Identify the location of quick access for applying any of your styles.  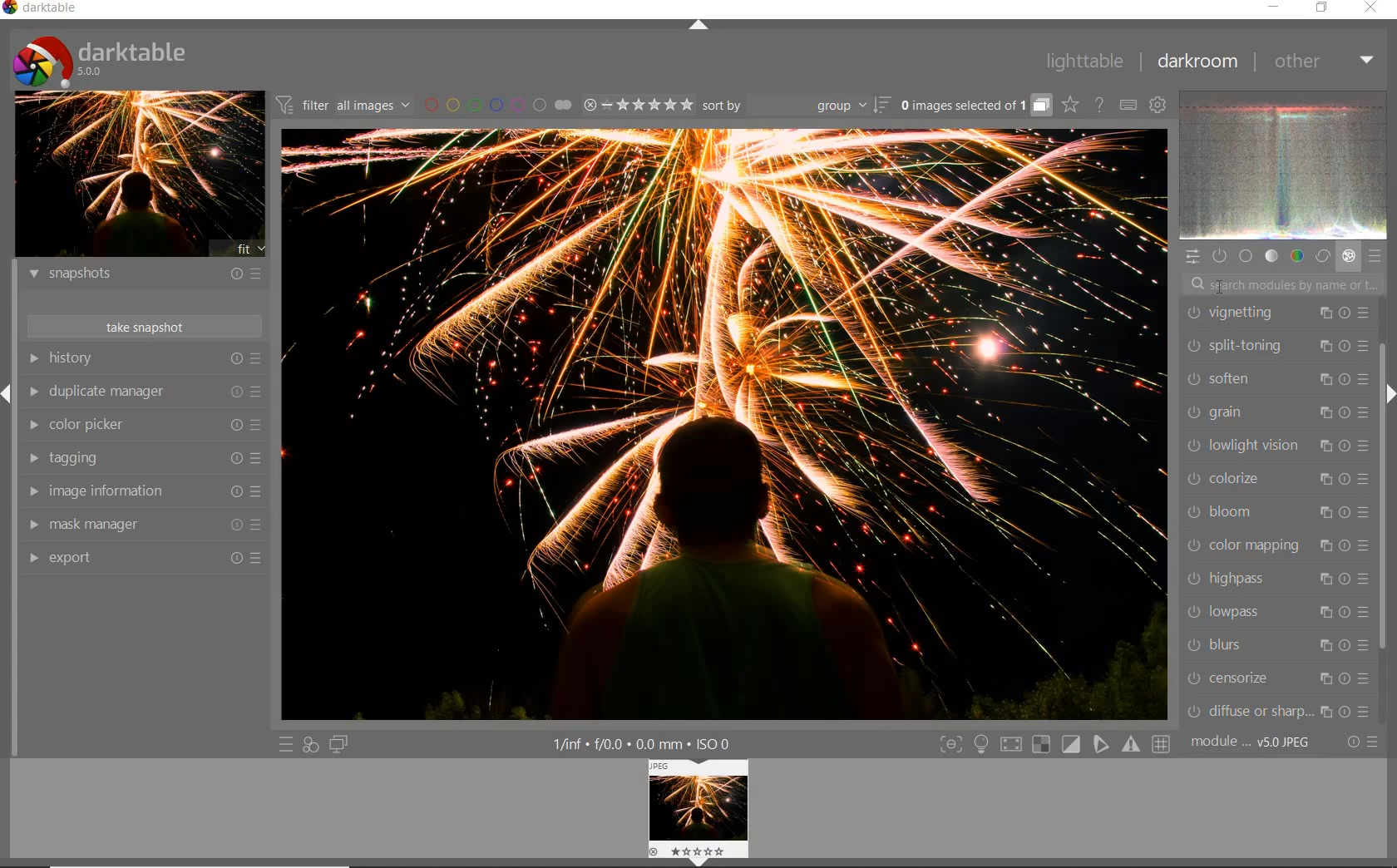
(311, 745).